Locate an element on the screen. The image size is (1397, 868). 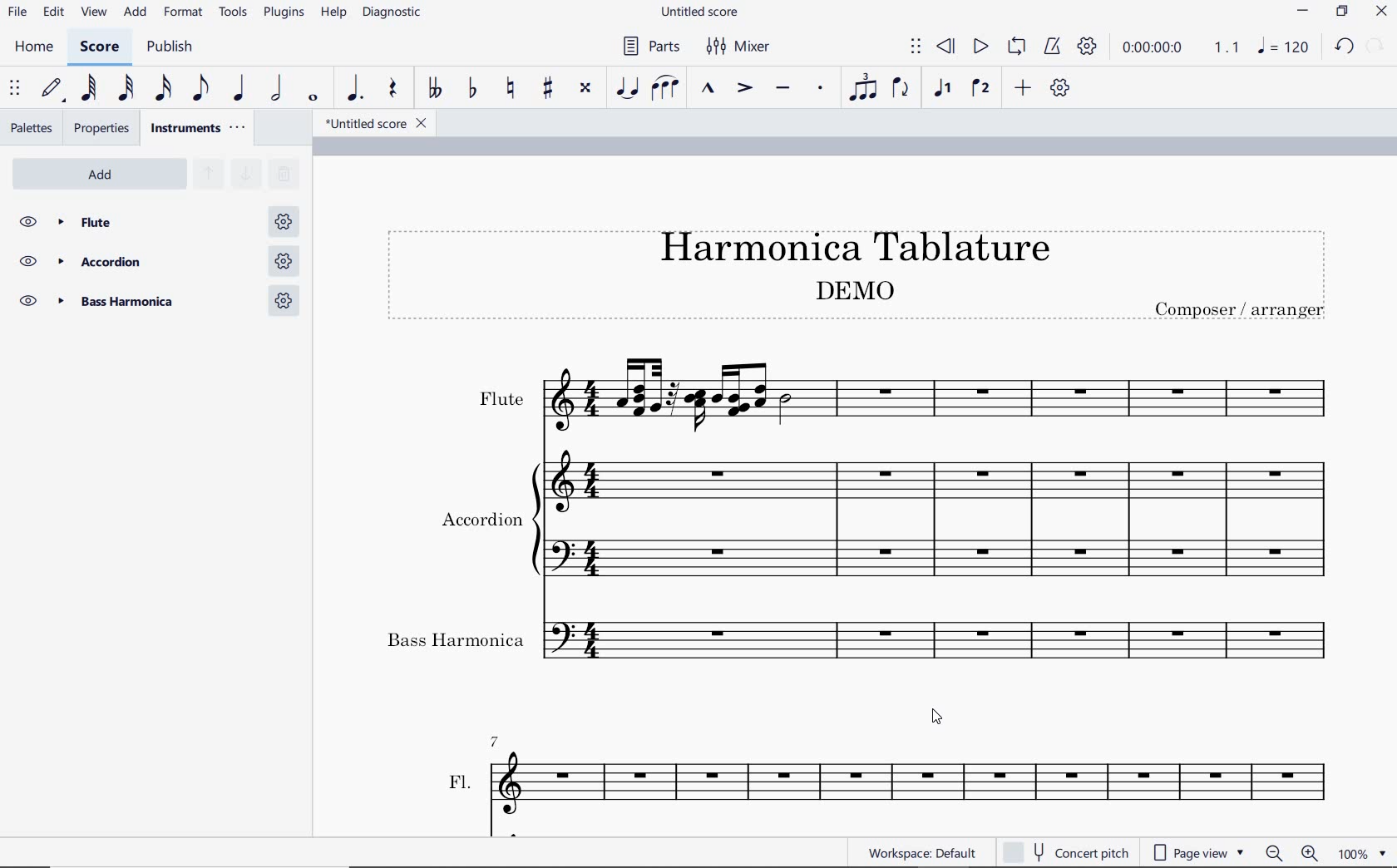
marcato is located at coordinates (708, 90).